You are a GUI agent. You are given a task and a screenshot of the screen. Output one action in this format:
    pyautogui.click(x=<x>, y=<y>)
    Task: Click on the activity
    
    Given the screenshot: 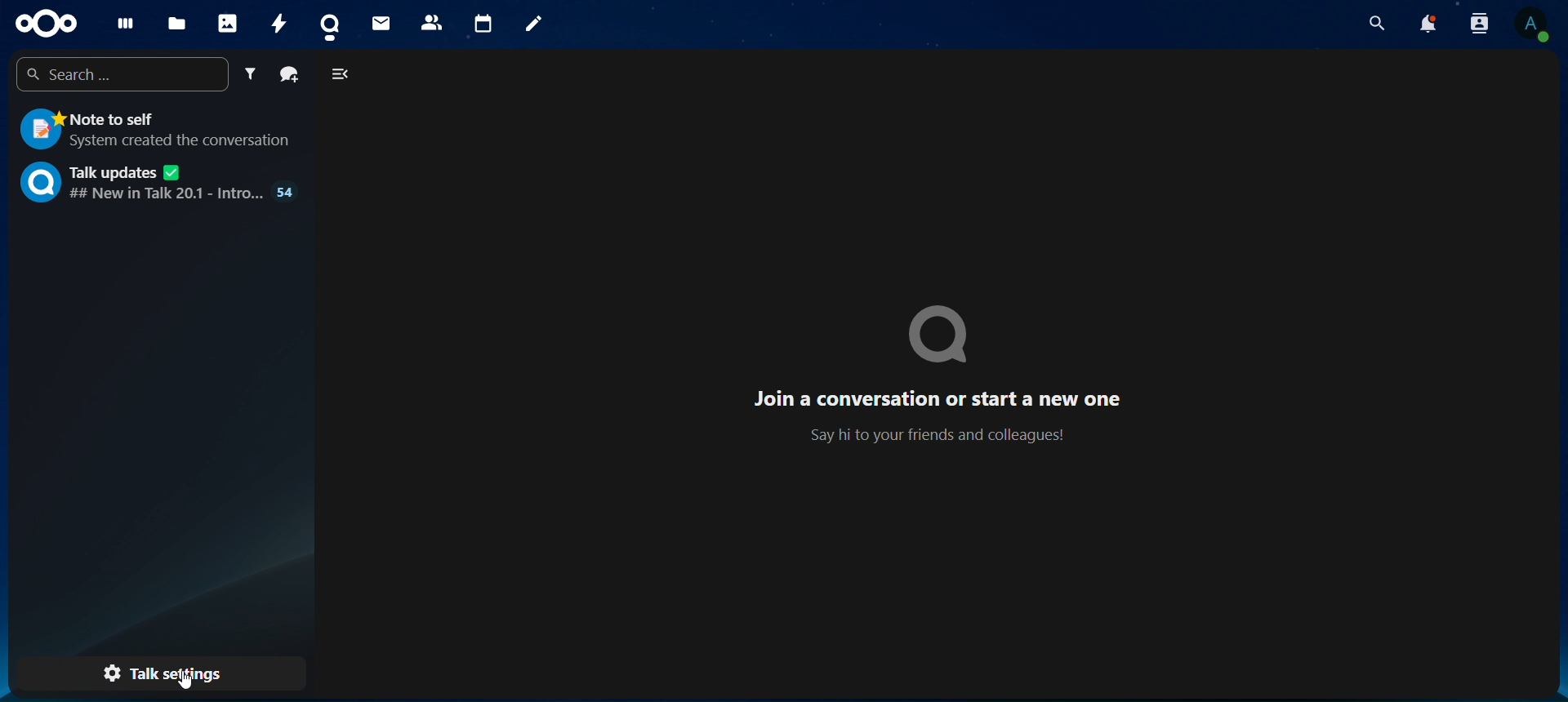 What is the action you would take?
    pyautogui.click(x=283, y=24)
    